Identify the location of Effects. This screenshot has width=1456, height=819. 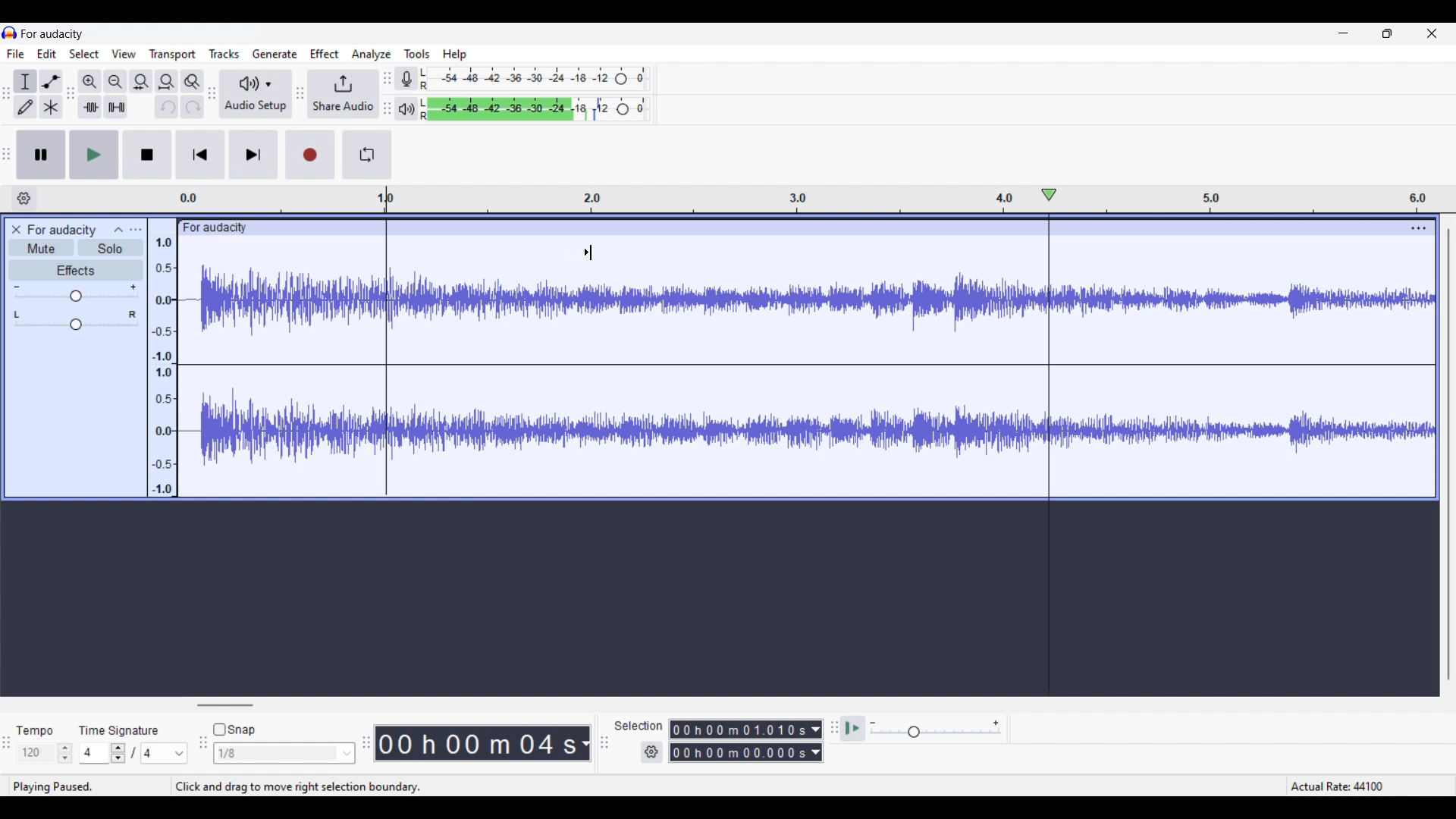
(75, 270).